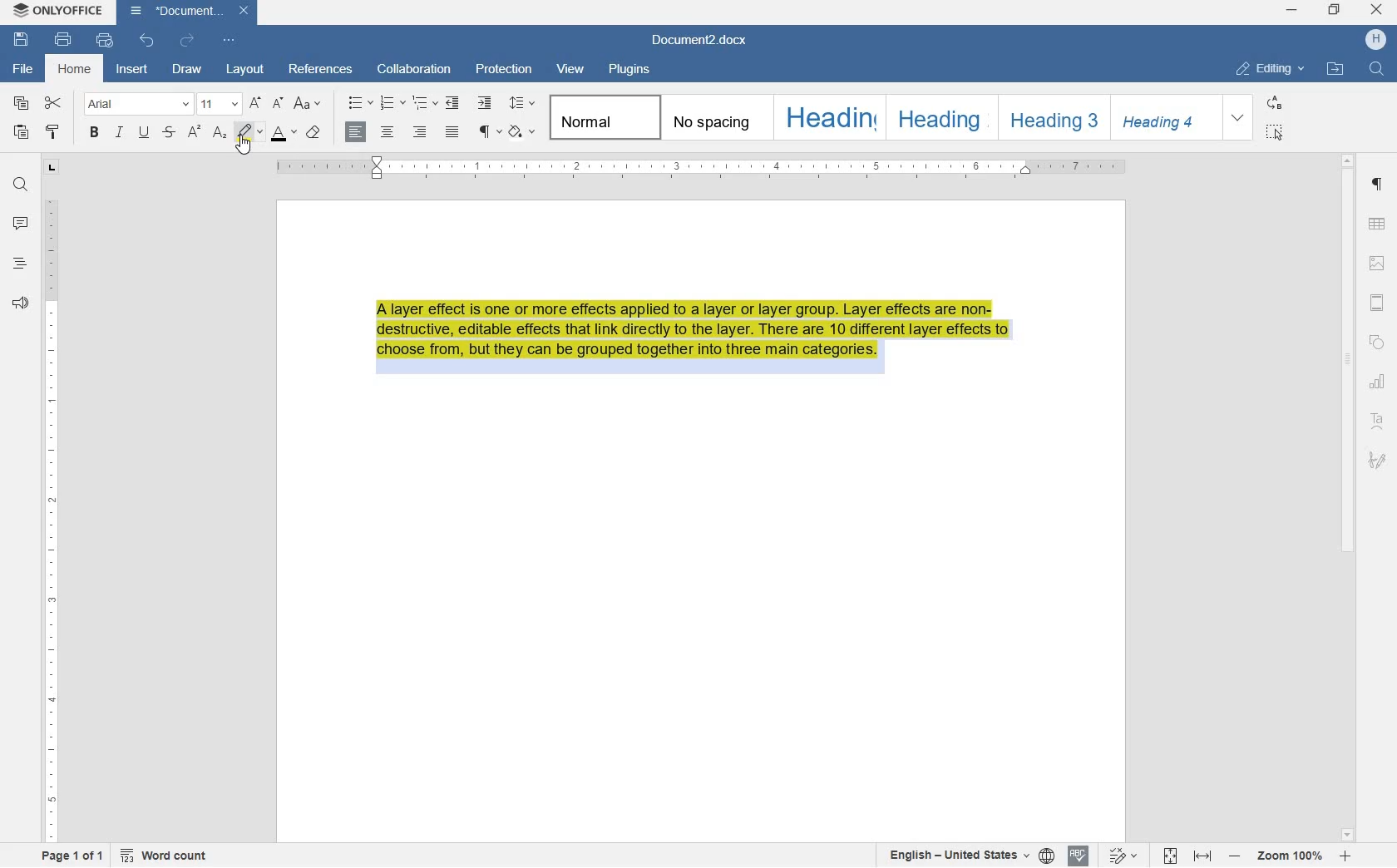  What do you see at coordinates (73, 856) in the screenshot?
I see `PAGE 1 OF 1` at bounding box center [73, 856].